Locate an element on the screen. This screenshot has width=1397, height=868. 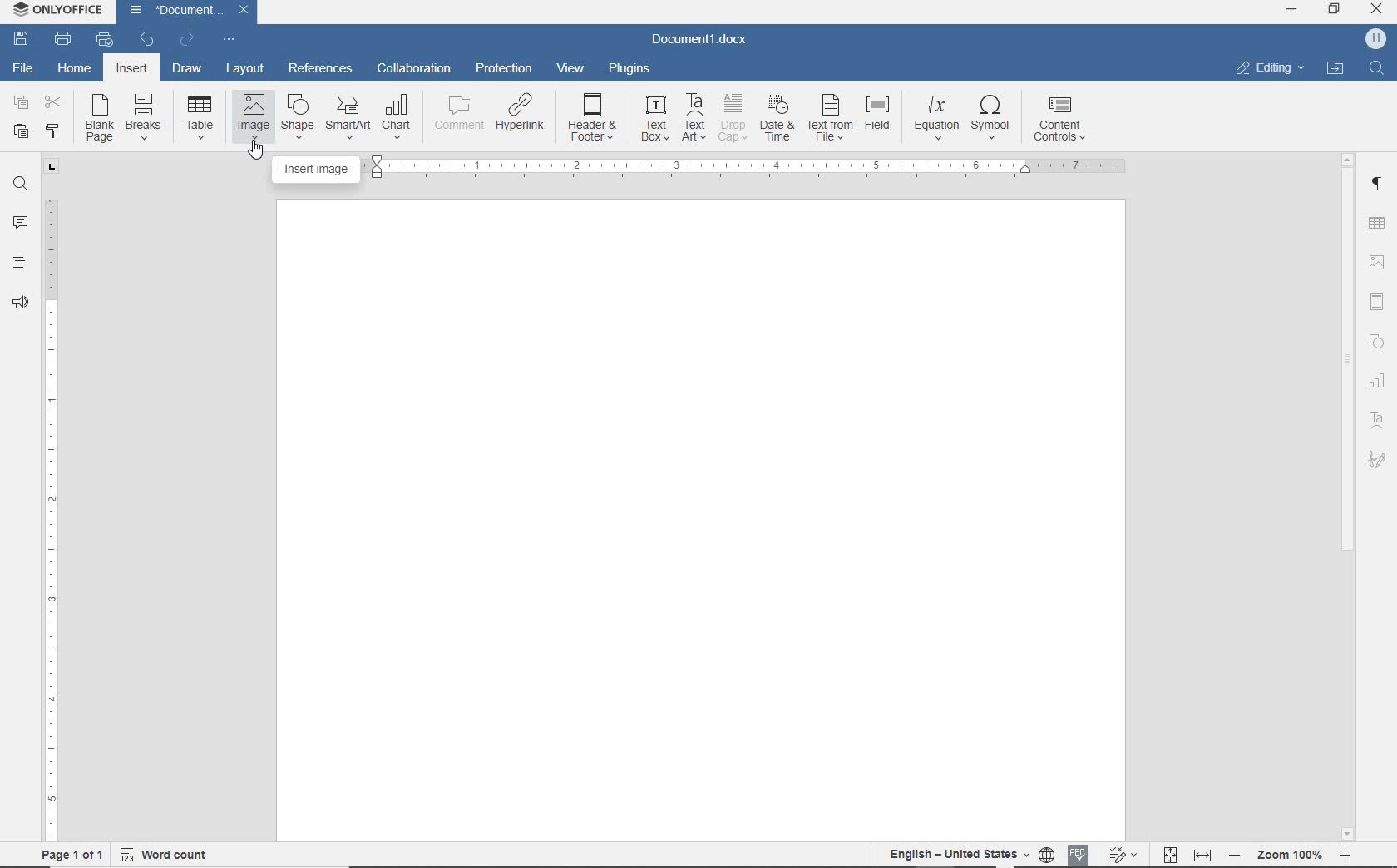
copy is located at coordinates (19, 104).